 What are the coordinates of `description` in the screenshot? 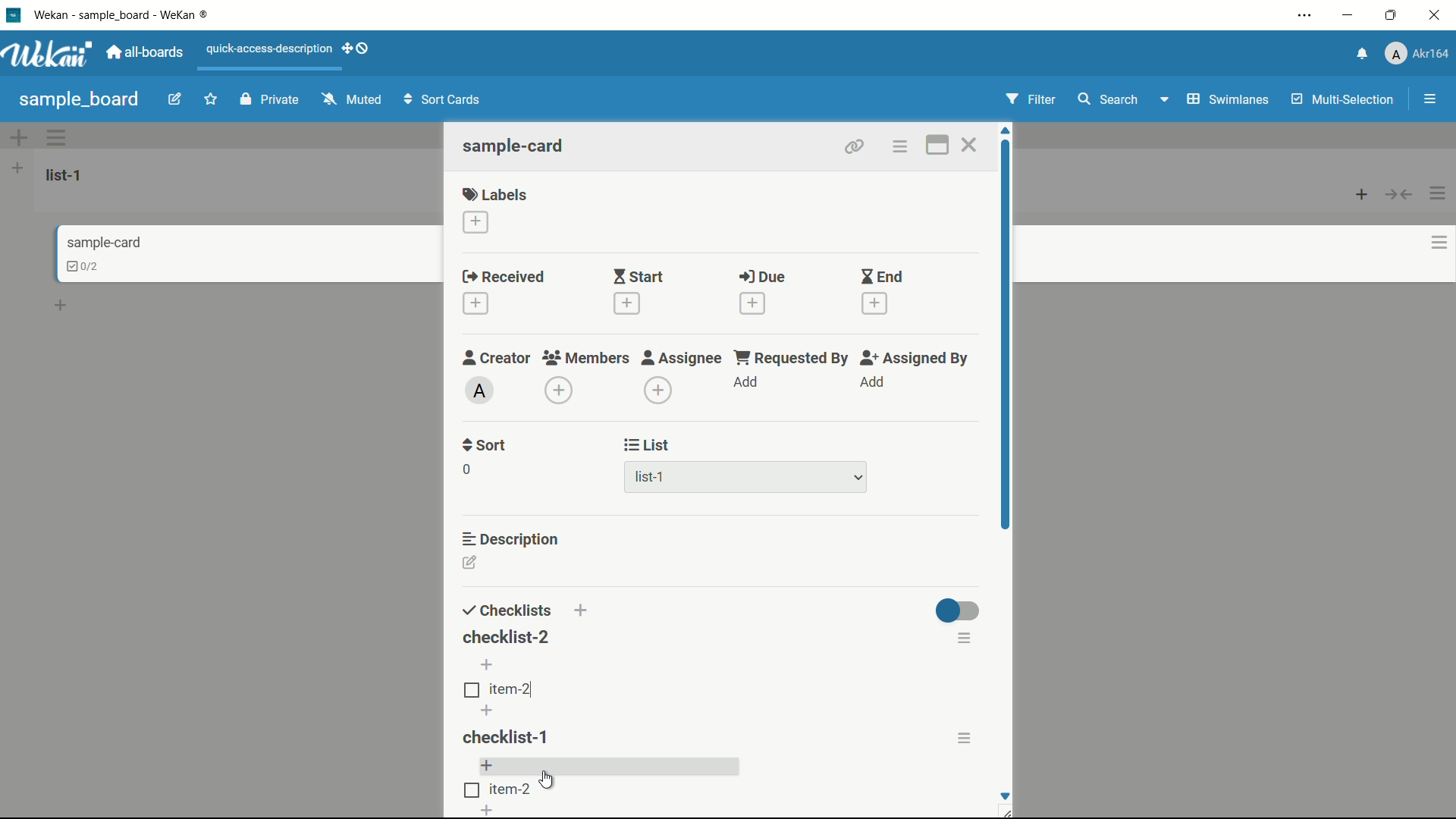 It's located at (512, 538).